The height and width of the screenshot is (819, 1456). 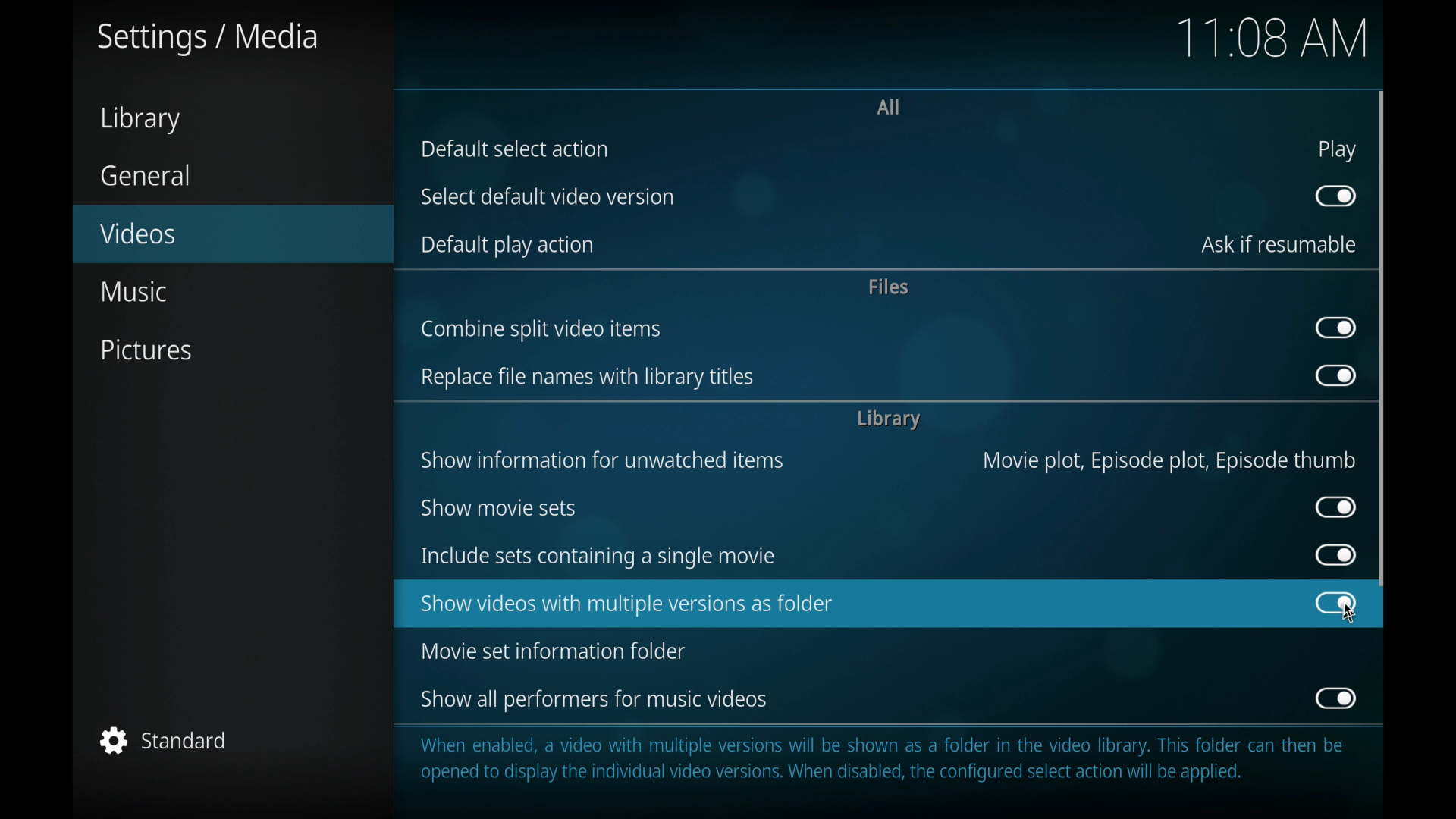 What do you see at coordinates (1351, 612) in the screenshot?
I see `cursor` at bounding box center [1351, 612].